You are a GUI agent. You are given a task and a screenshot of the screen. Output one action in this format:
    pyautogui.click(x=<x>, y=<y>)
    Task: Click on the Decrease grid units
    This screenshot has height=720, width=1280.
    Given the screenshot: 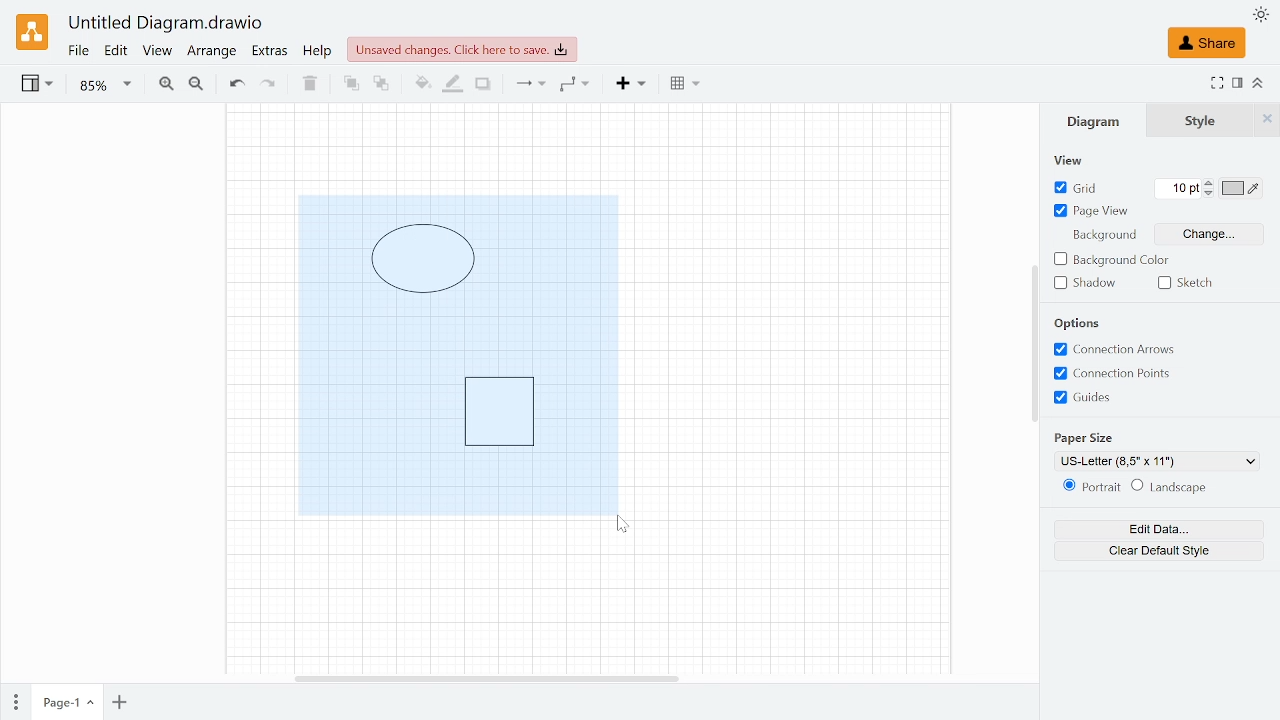 What is the action you would take?
    pyautogui.click(x=1209, y=194)
    